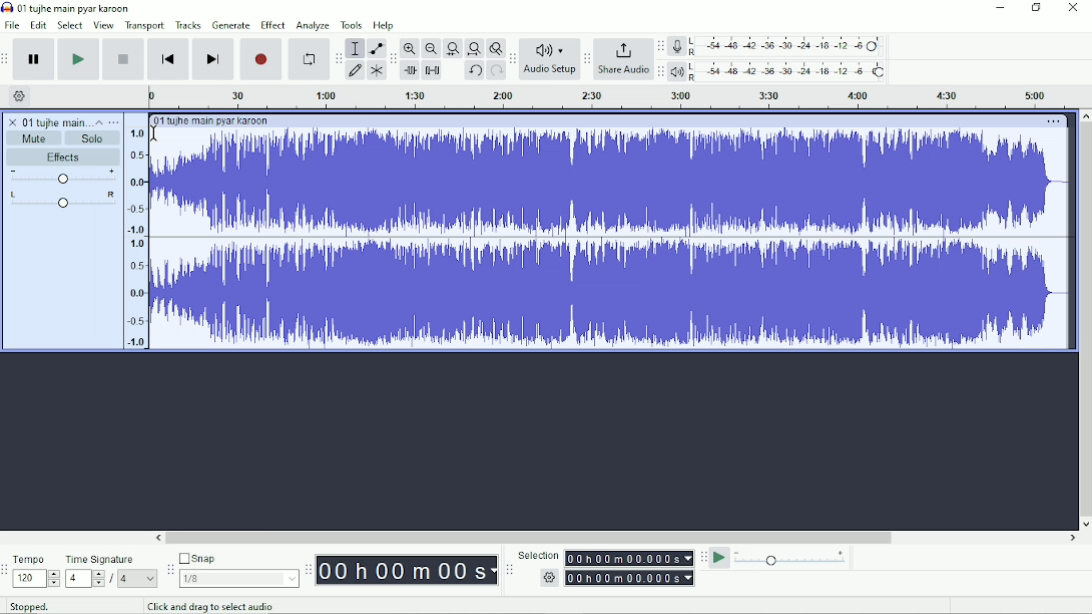 Image resolution: width=1092 pixels, height=614 pixels. What do you see at coordinates (792, 558) in the screenshot?
I see `Playback speed` at bounding box center [792, 558].